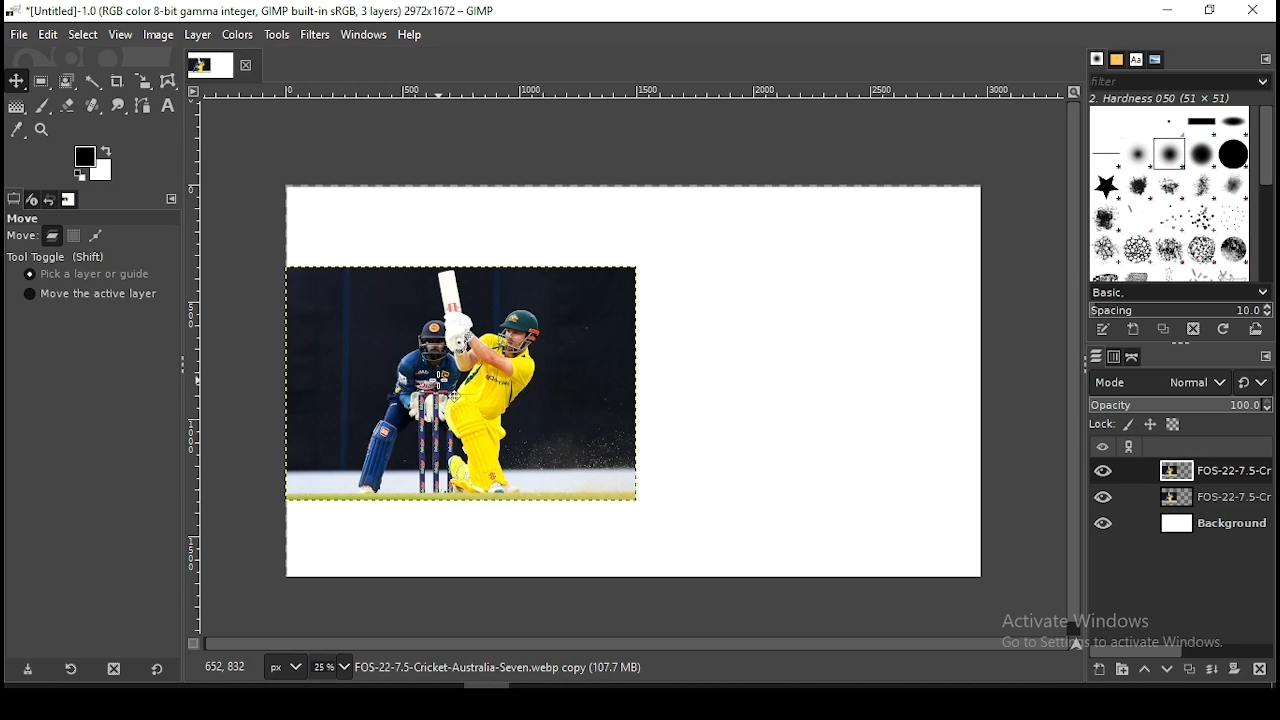 The width and height of the screenshot is (1280, 720). I want to click on move, so click(22, 238).